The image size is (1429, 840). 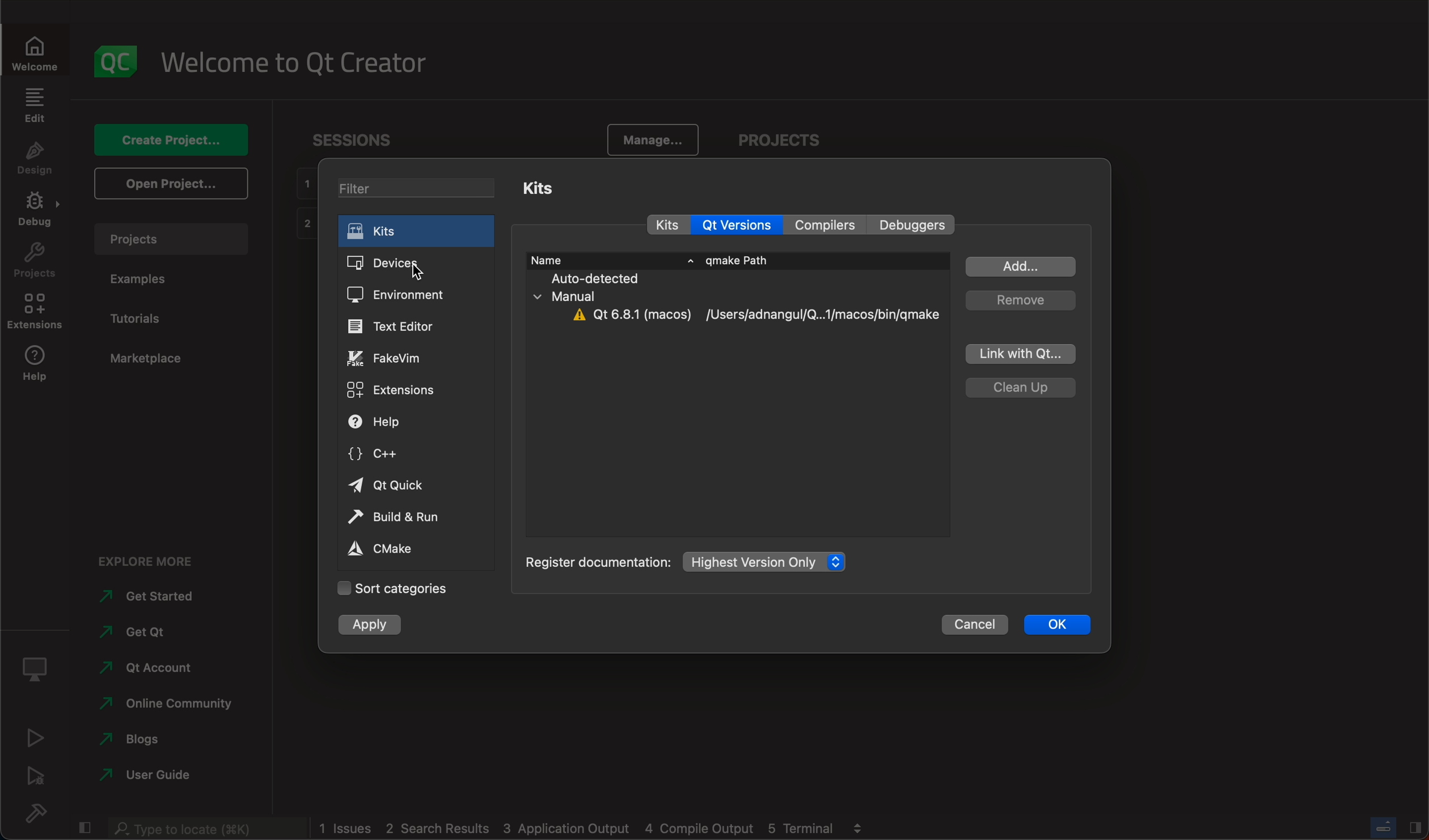 What do you see at coordinates (755, 315) in the screenshot?
I see `Qt 6.8.1 (macos) /Users/adnangul/Q...1/macos/bin/qmake` at bounding box center [755, 315].